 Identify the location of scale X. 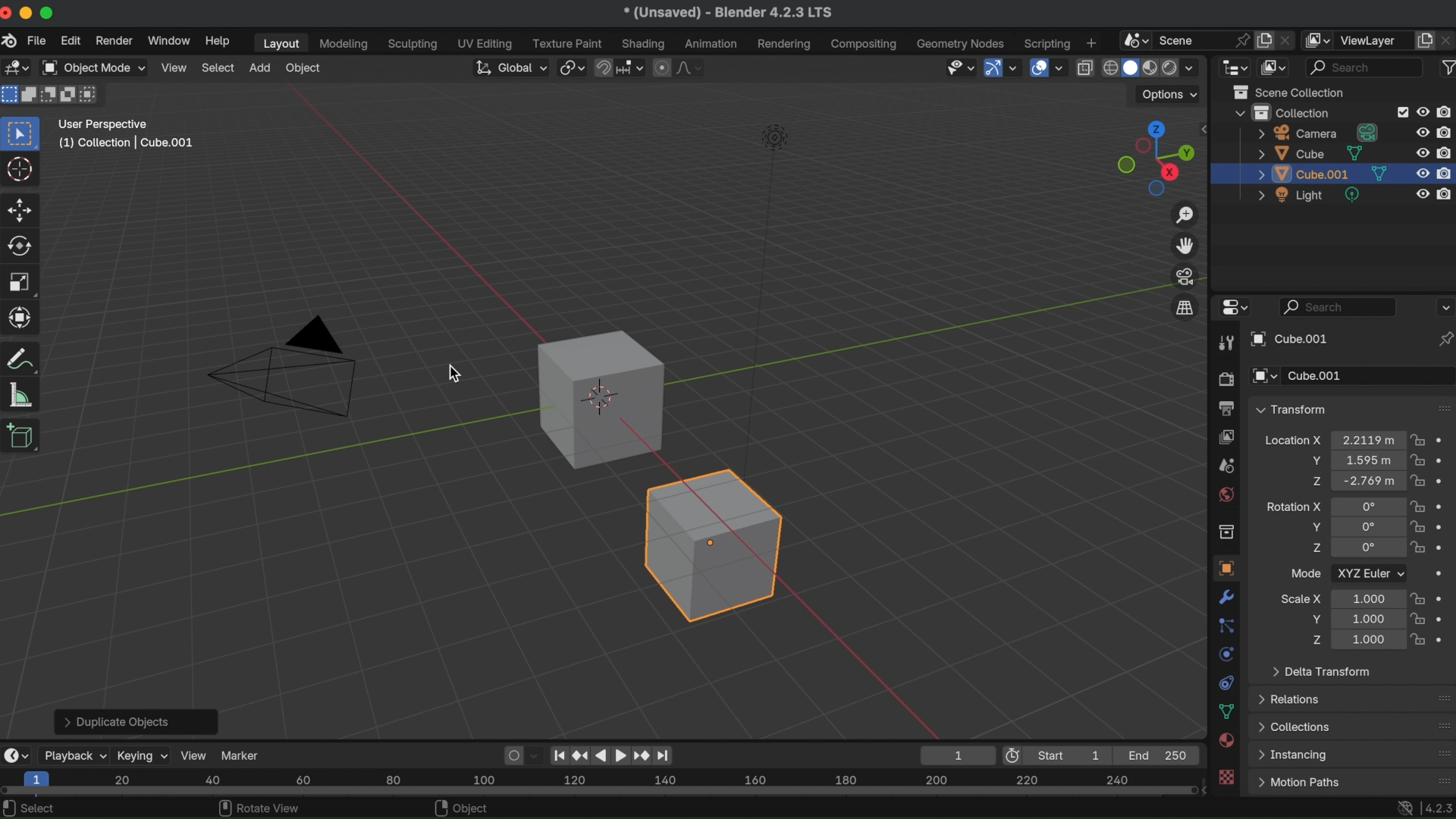
(1301, 598).